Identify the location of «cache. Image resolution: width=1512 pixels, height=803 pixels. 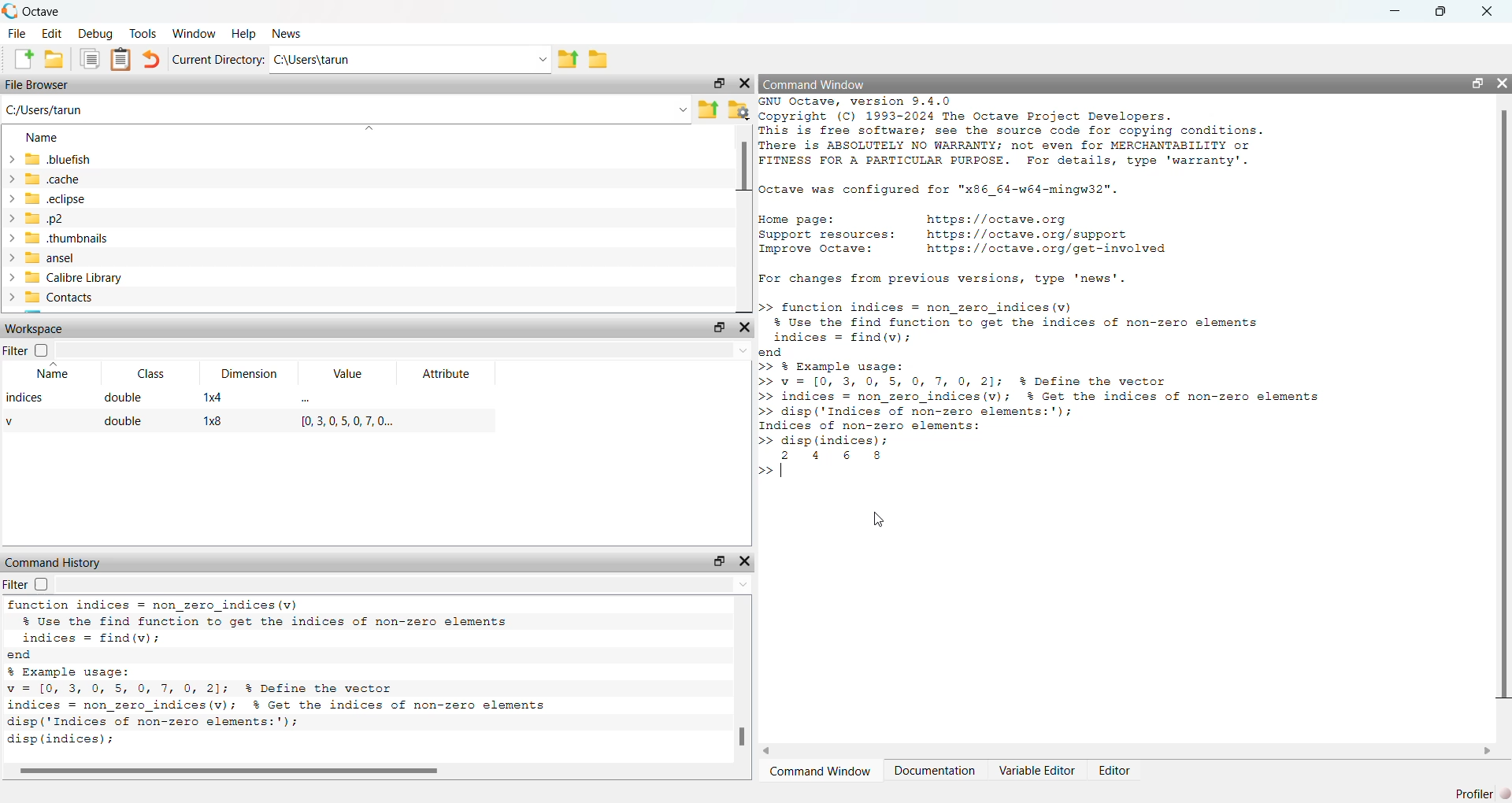
(42, 179).